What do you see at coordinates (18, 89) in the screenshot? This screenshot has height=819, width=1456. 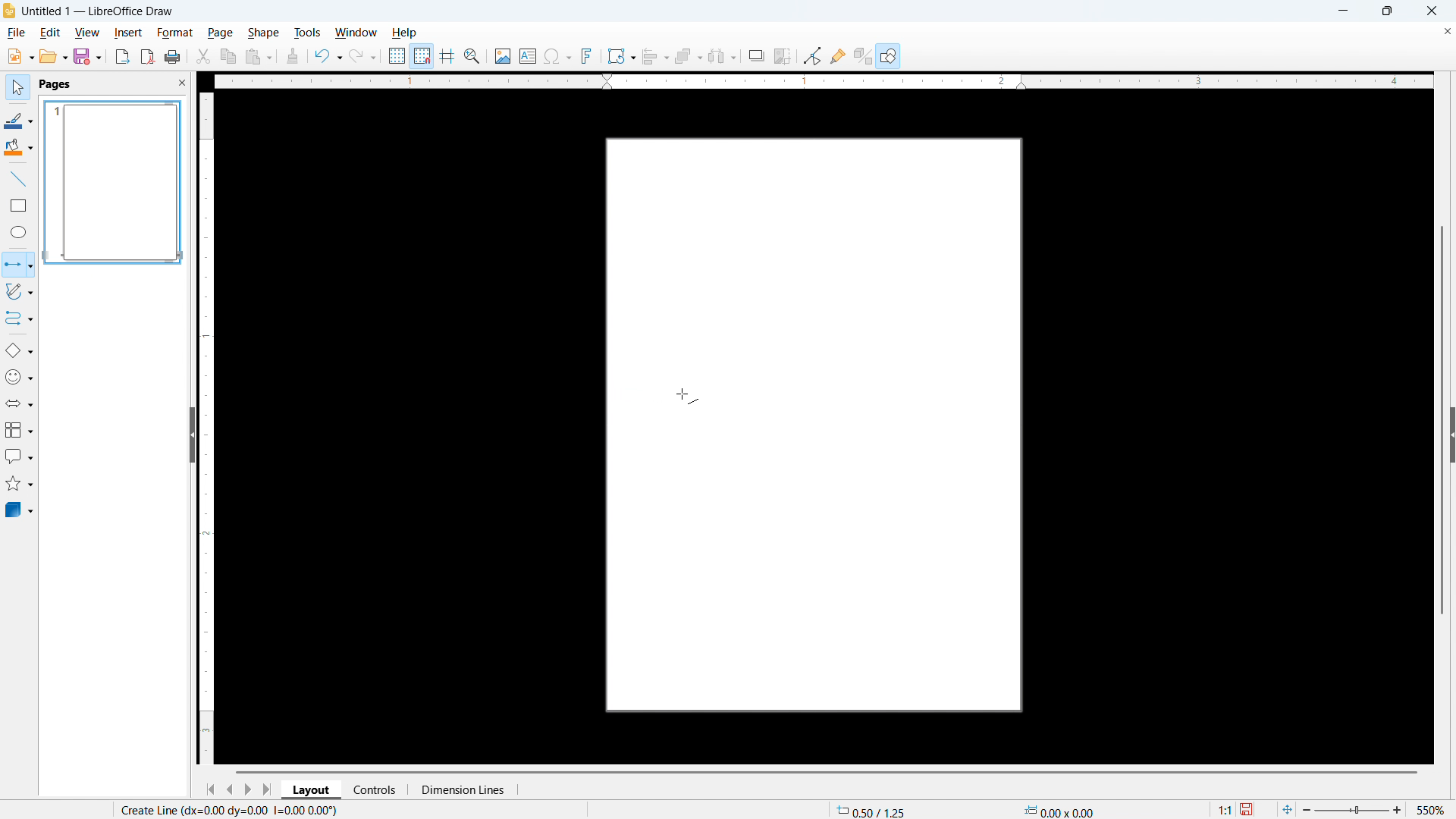 I see `Select ` at bounding box center [18, 89].